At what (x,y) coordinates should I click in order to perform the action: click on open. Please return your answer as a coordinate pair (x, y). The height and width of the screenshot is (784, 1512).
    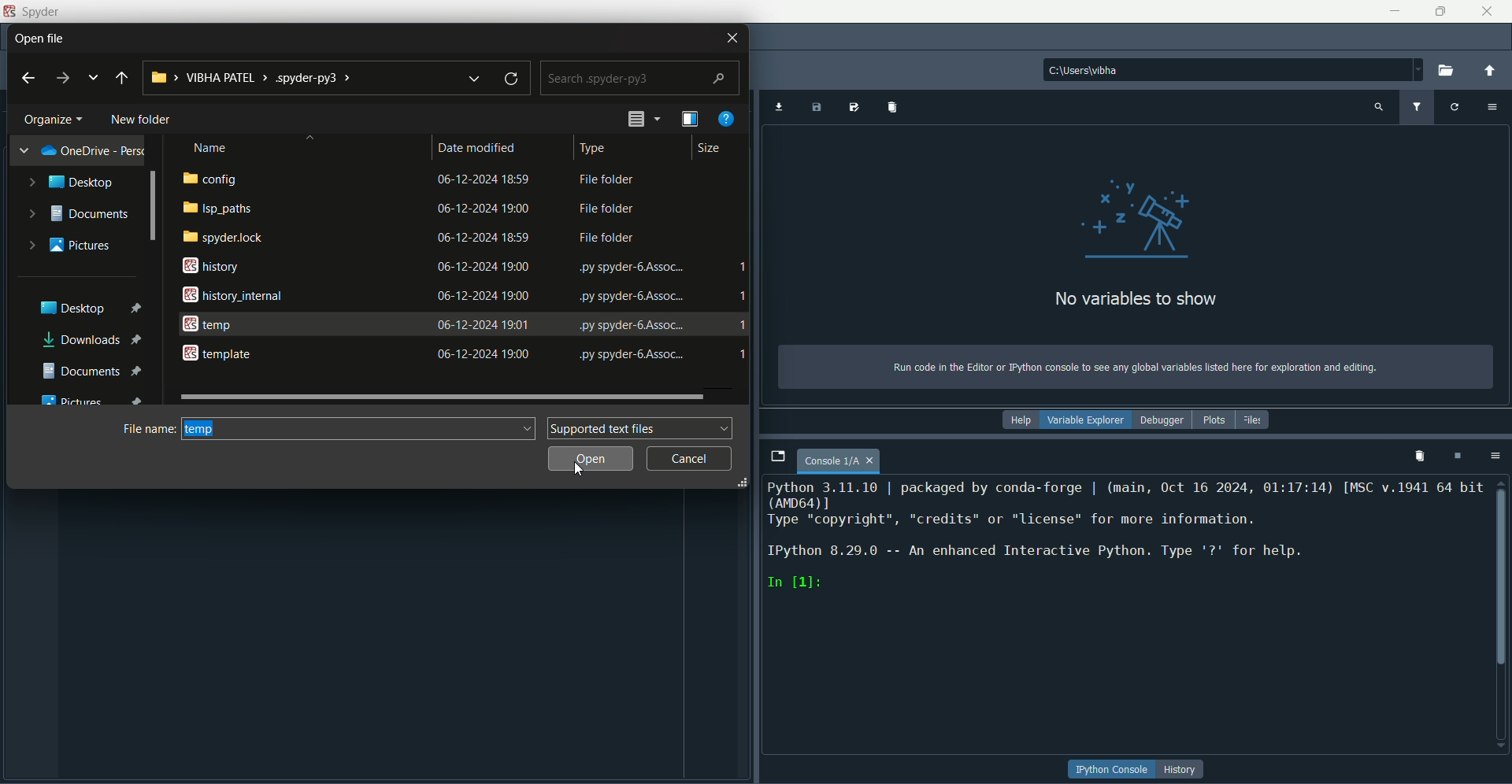
    Looking at the image, I should click on (592, 459).